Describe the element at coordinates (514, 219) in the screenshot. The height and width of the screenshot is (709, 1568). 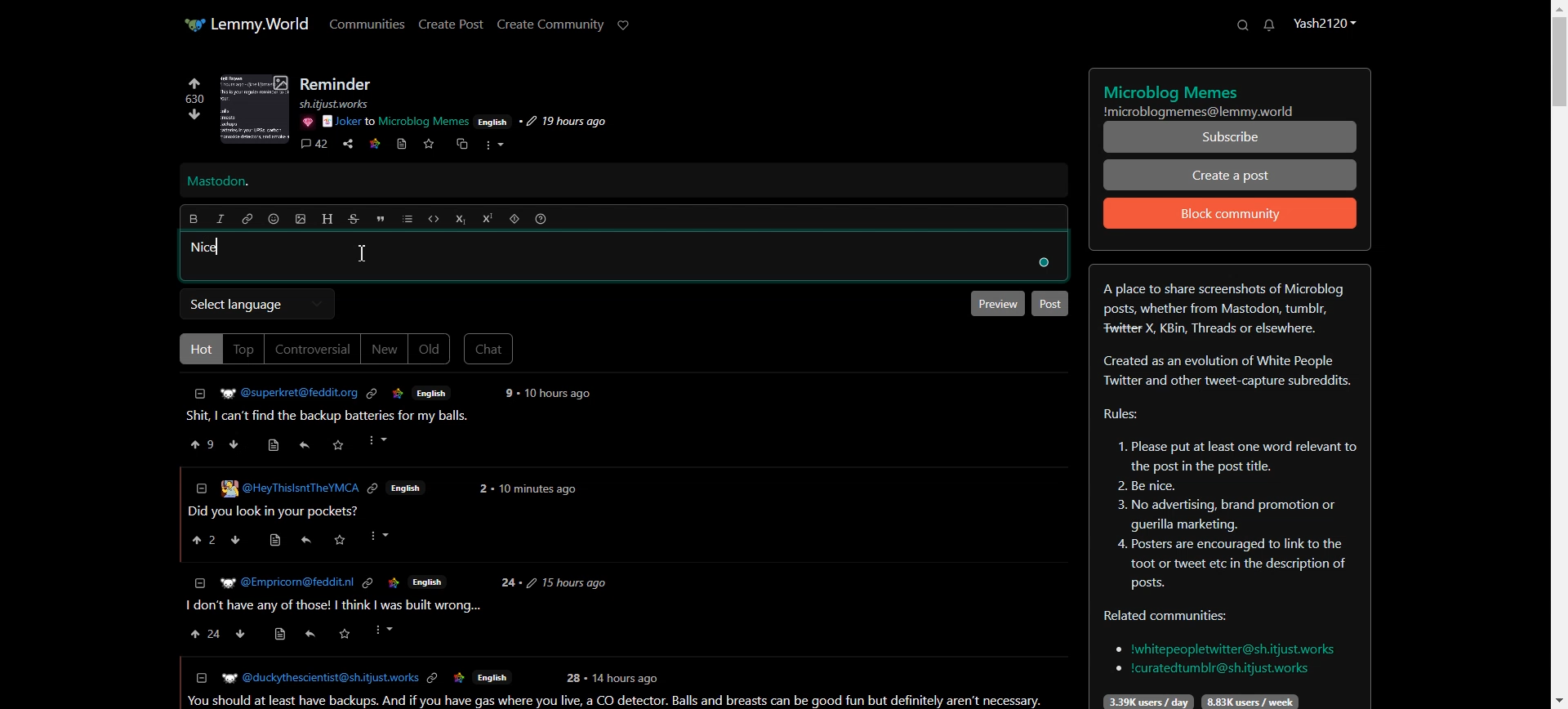
I see `Spoiler` at that location.